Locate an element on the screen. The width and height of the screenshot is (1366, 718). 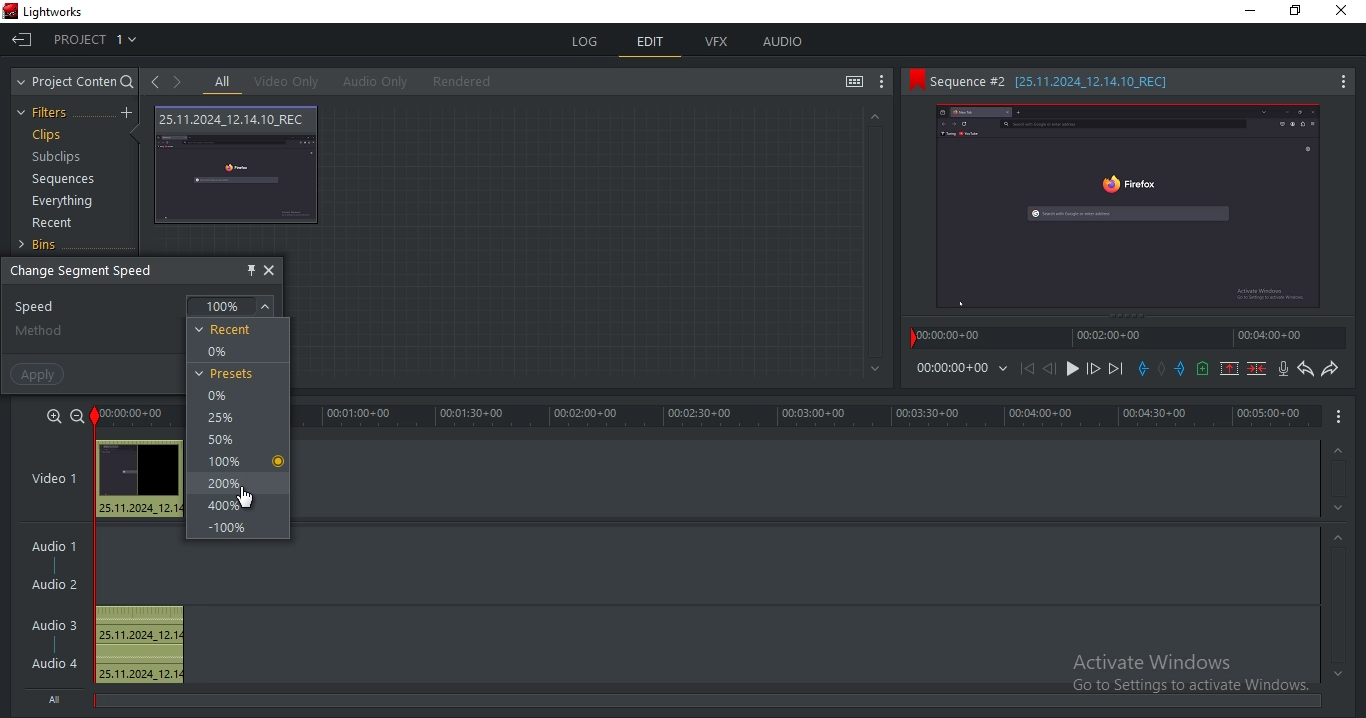
video is located at coordinates (238, 166).